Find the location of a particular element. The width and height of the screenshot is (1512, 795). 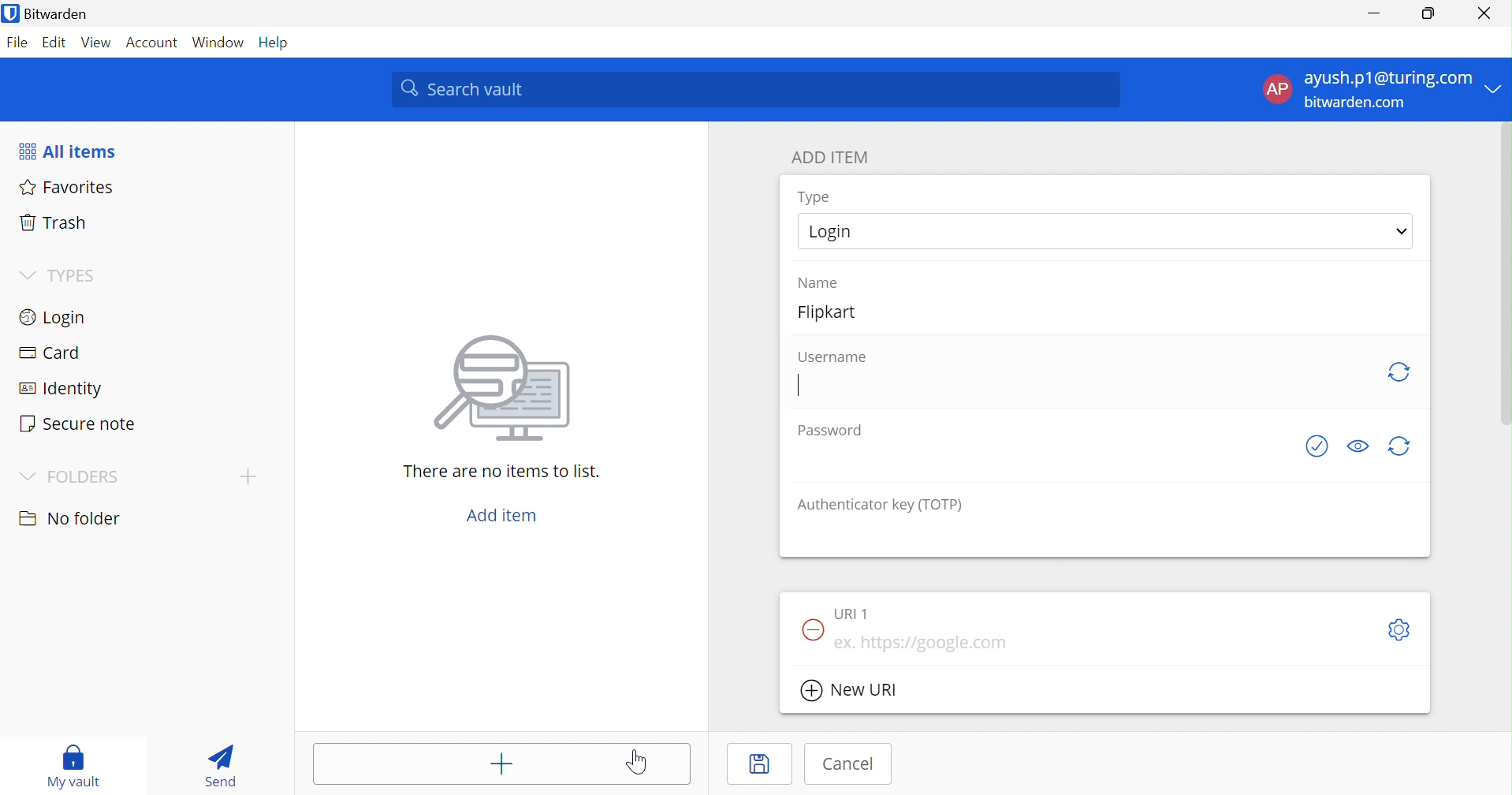

Add item is located at coordinates (503, 516).